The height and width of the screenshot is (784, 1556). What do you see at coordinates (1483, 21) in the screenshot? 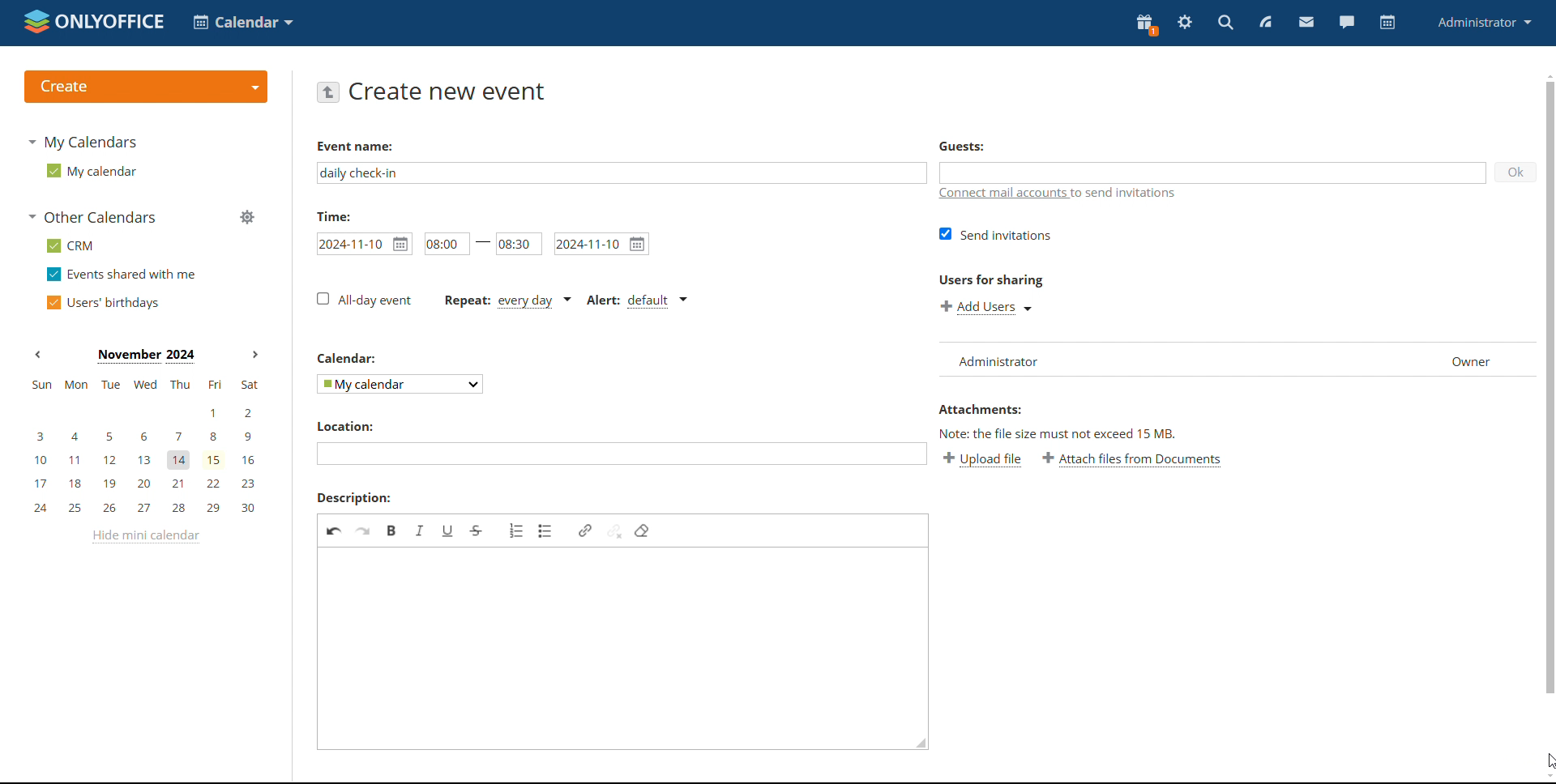
I see `administrator` at bounding box center [1483, 21].